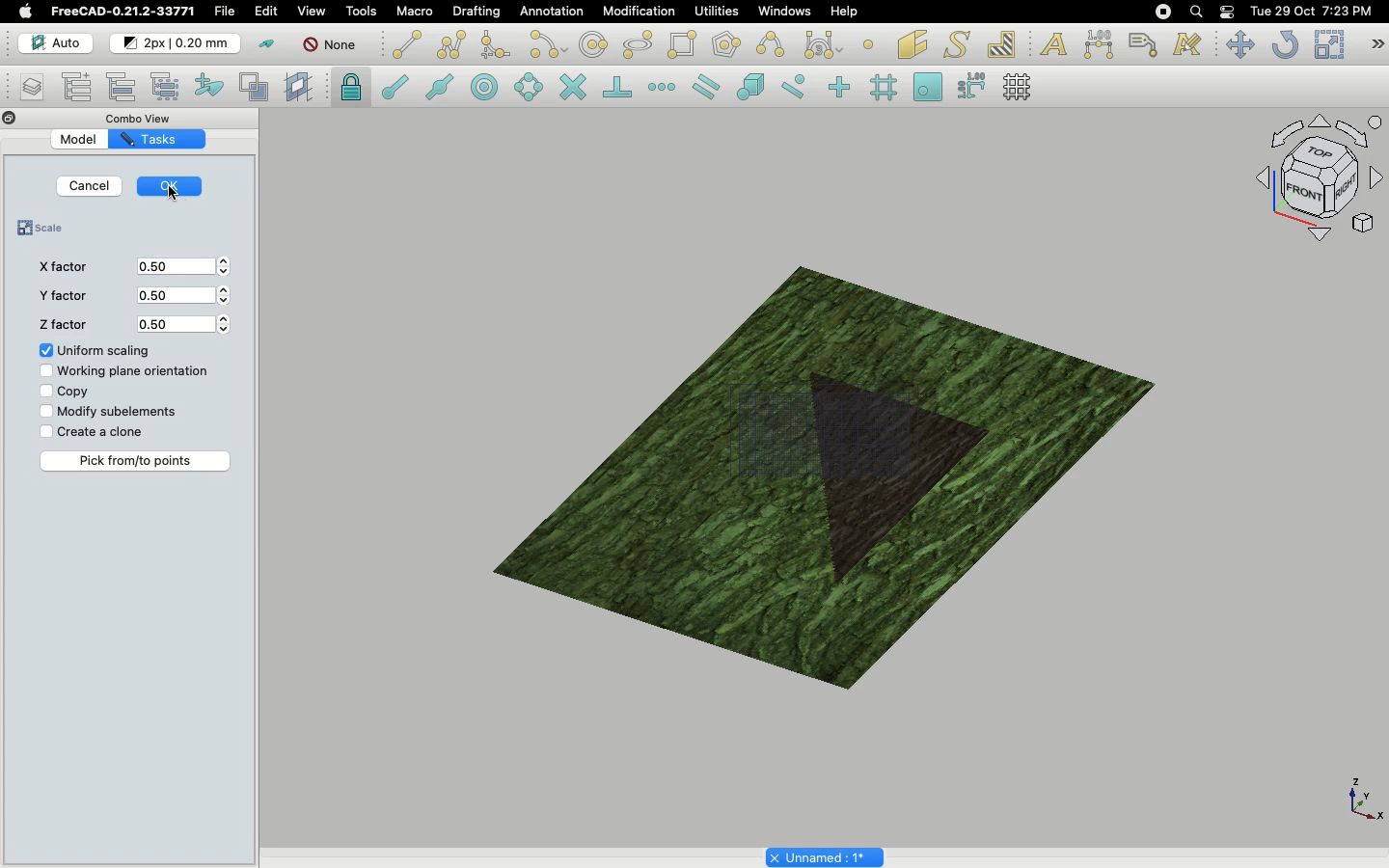  I want to click on Selecting OK, so click(178, 192).